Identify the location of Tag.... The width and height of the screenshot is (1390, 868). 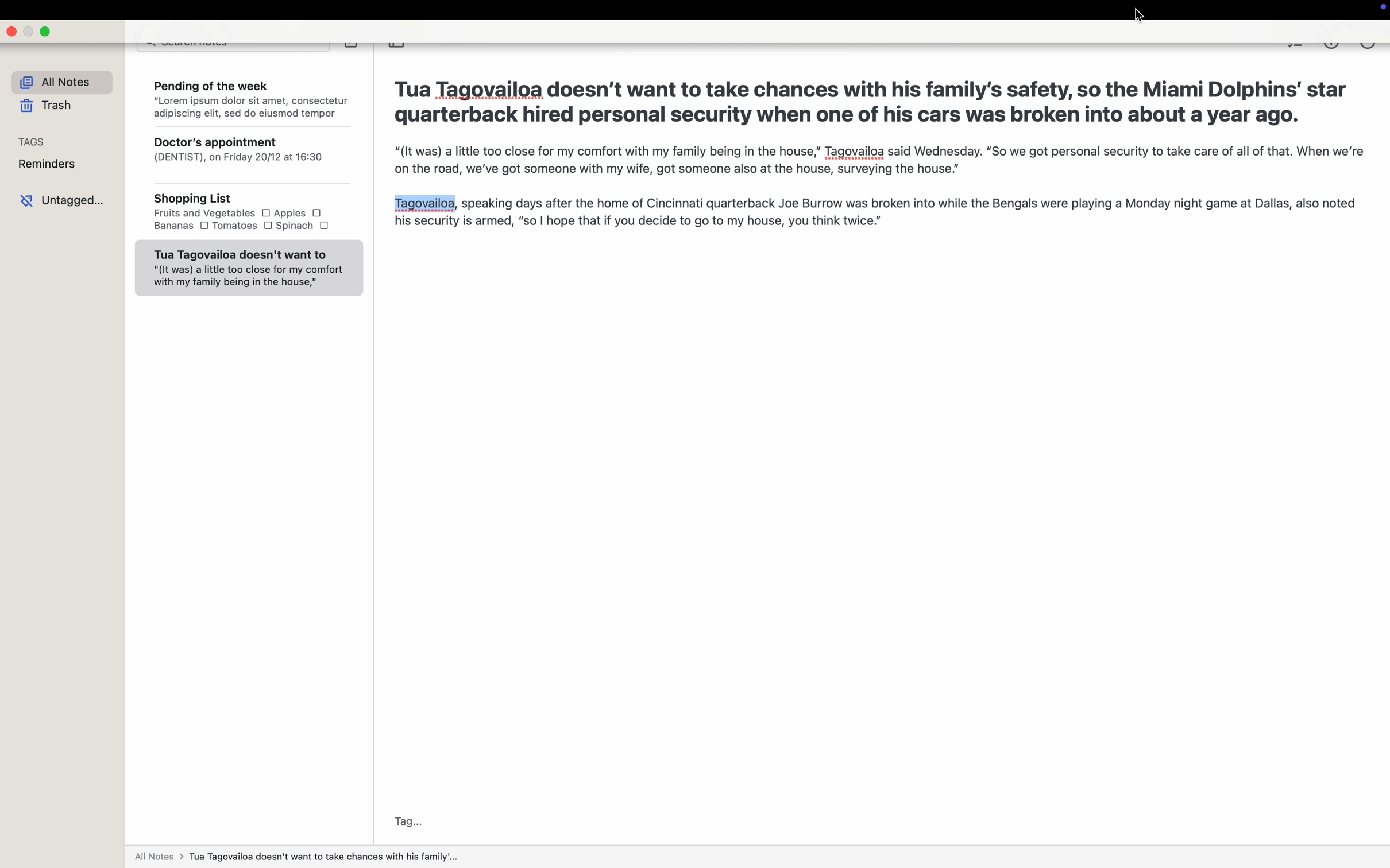
(406, 822).